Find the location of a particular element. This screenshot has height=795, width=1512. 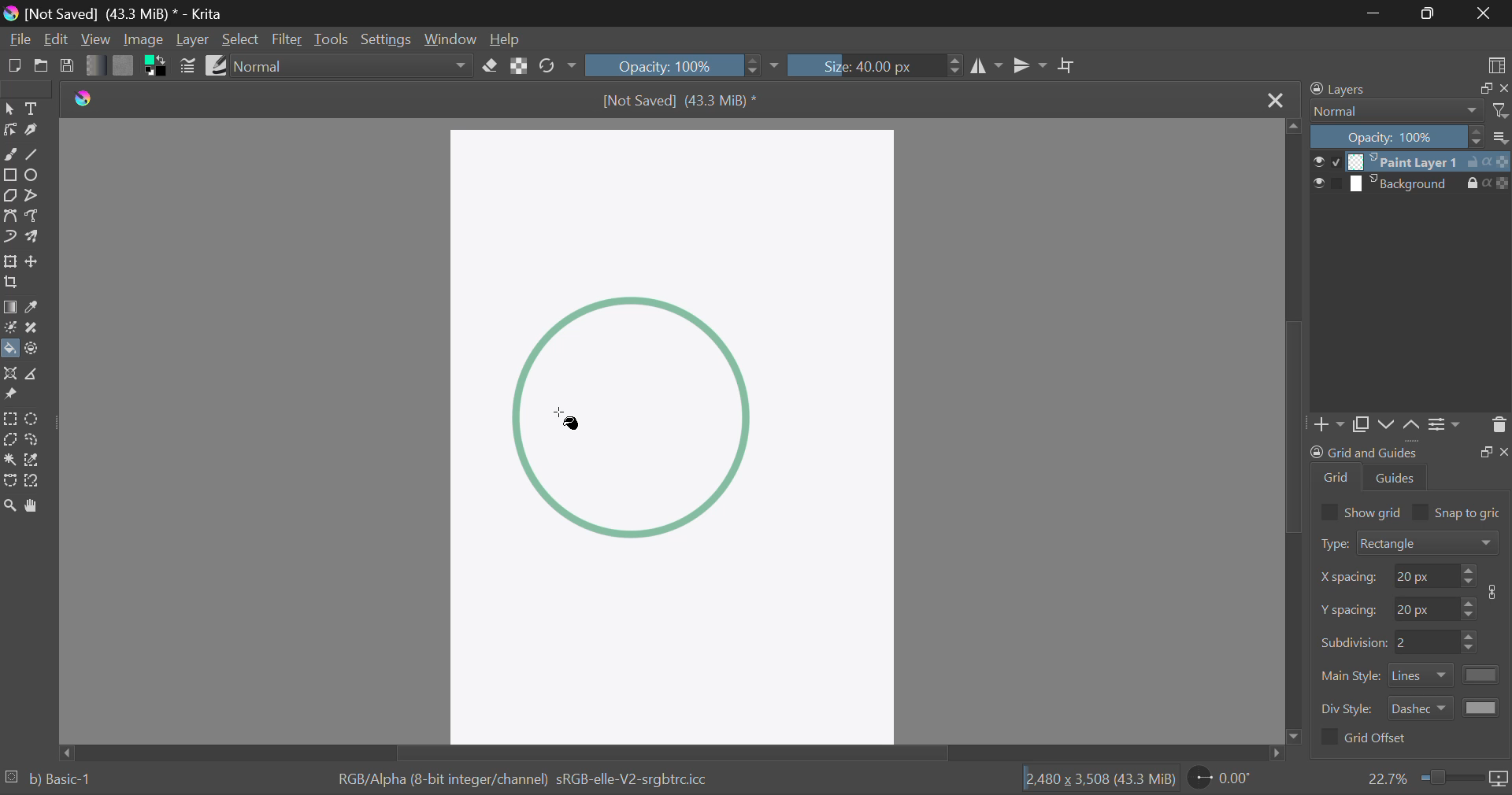

Scroll Bar is located at coordinates (673, 753).